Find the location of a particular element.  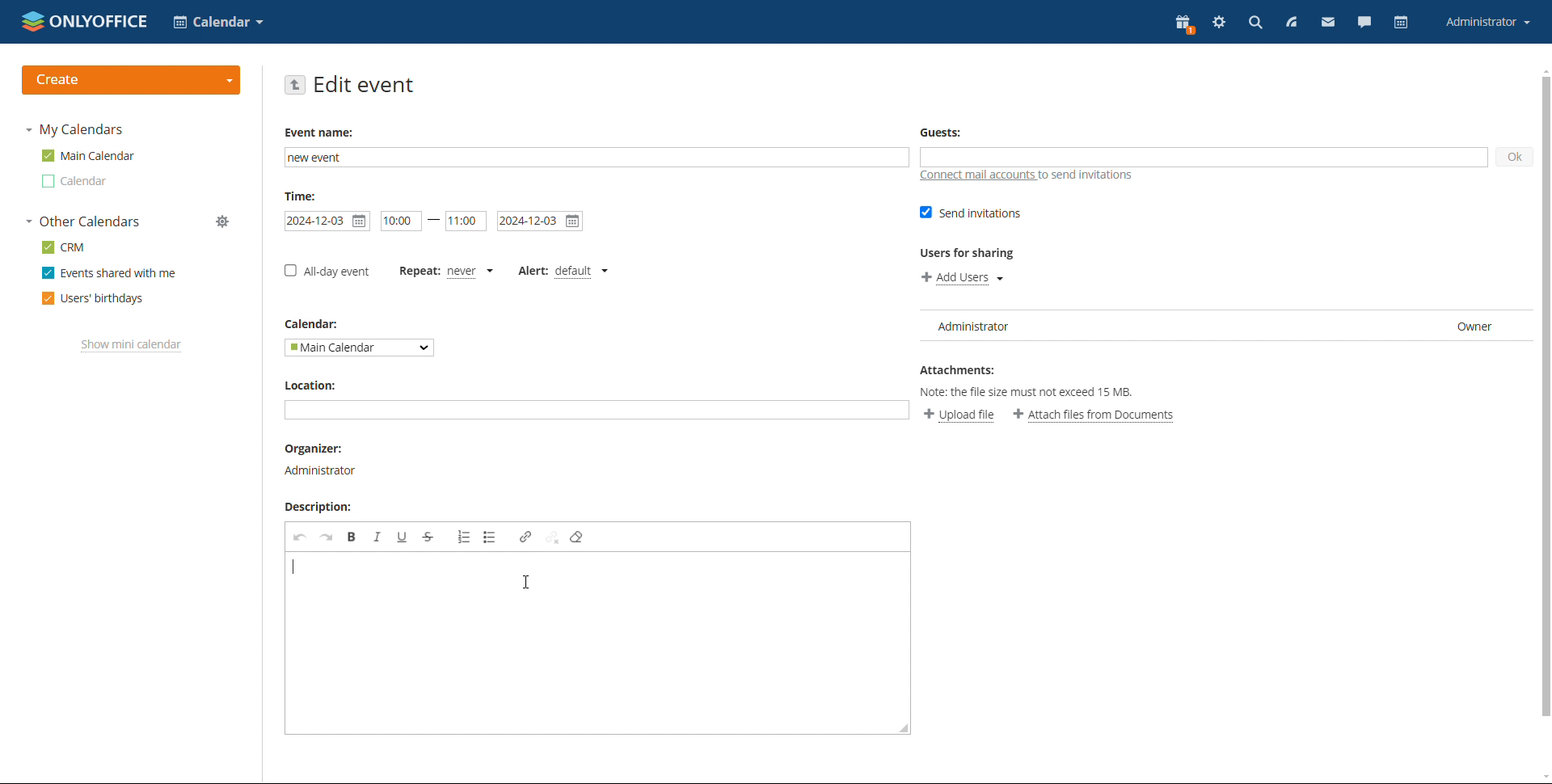

add users is located at coordinates (963, 278).